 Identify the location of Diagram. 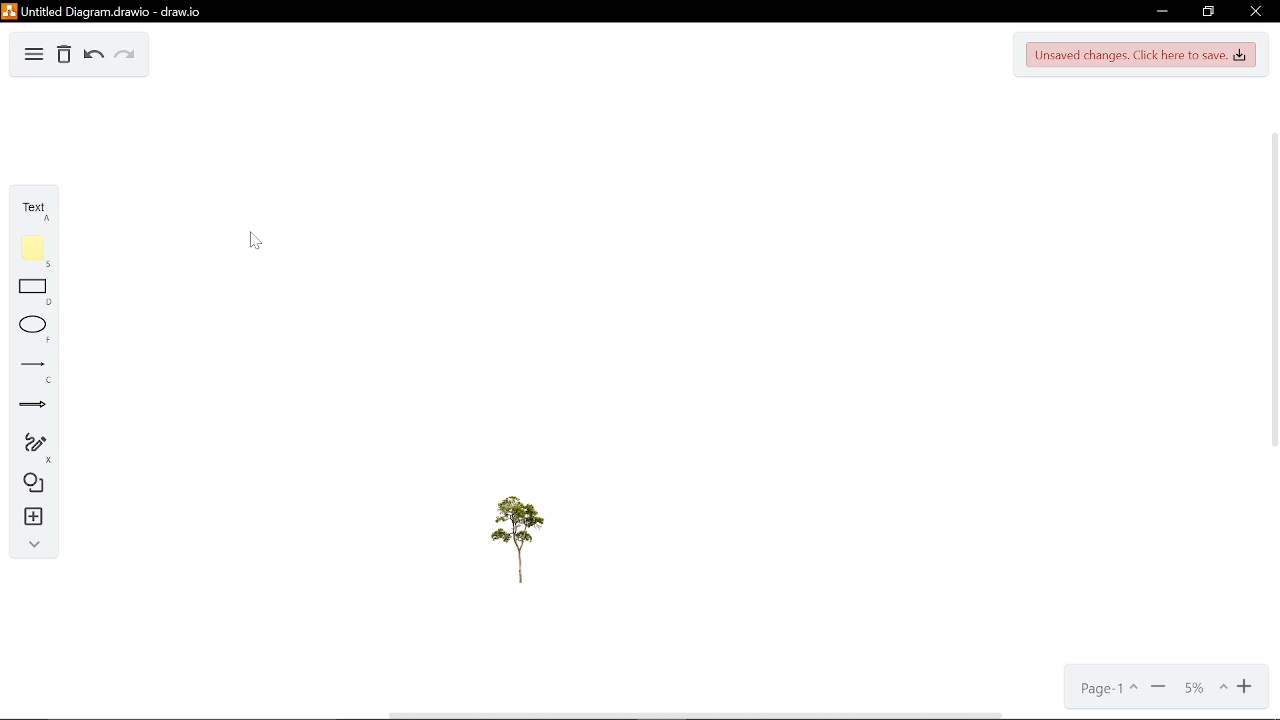
(25, 52).